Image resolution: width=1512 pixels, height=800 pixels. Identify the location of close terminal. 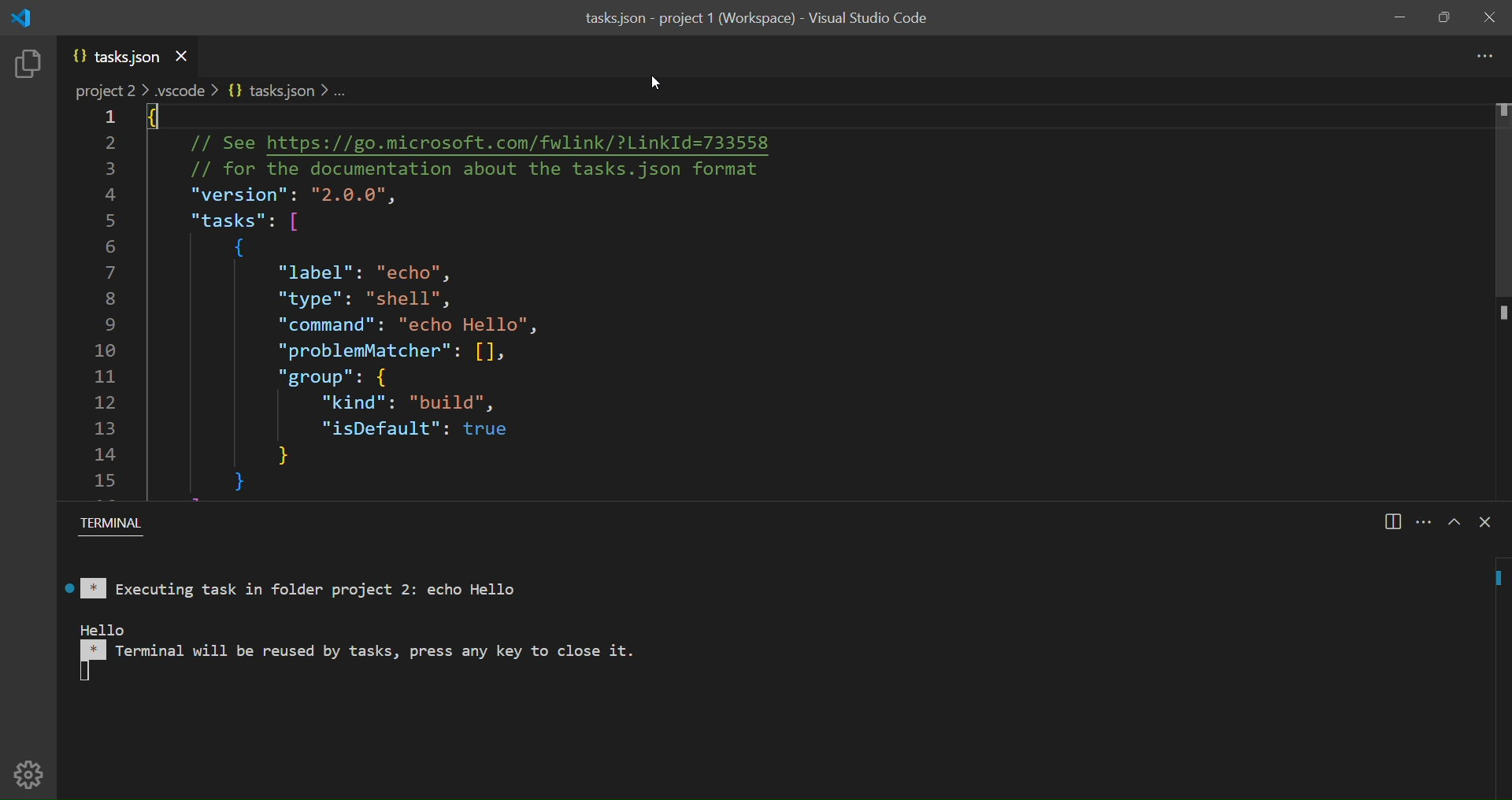
(1480, 523).